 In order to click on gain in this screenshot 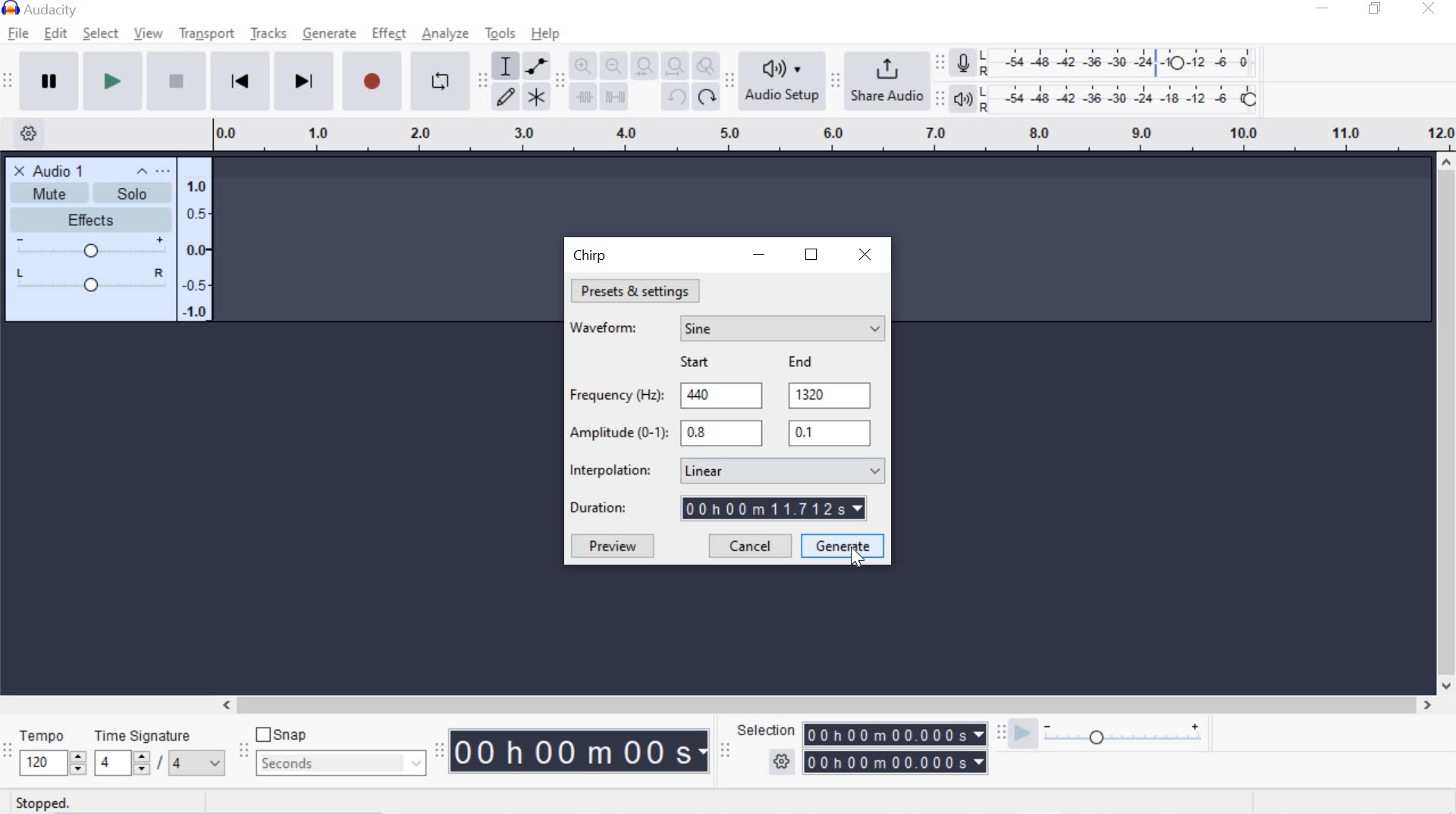, I will do `click(91, 249)`.